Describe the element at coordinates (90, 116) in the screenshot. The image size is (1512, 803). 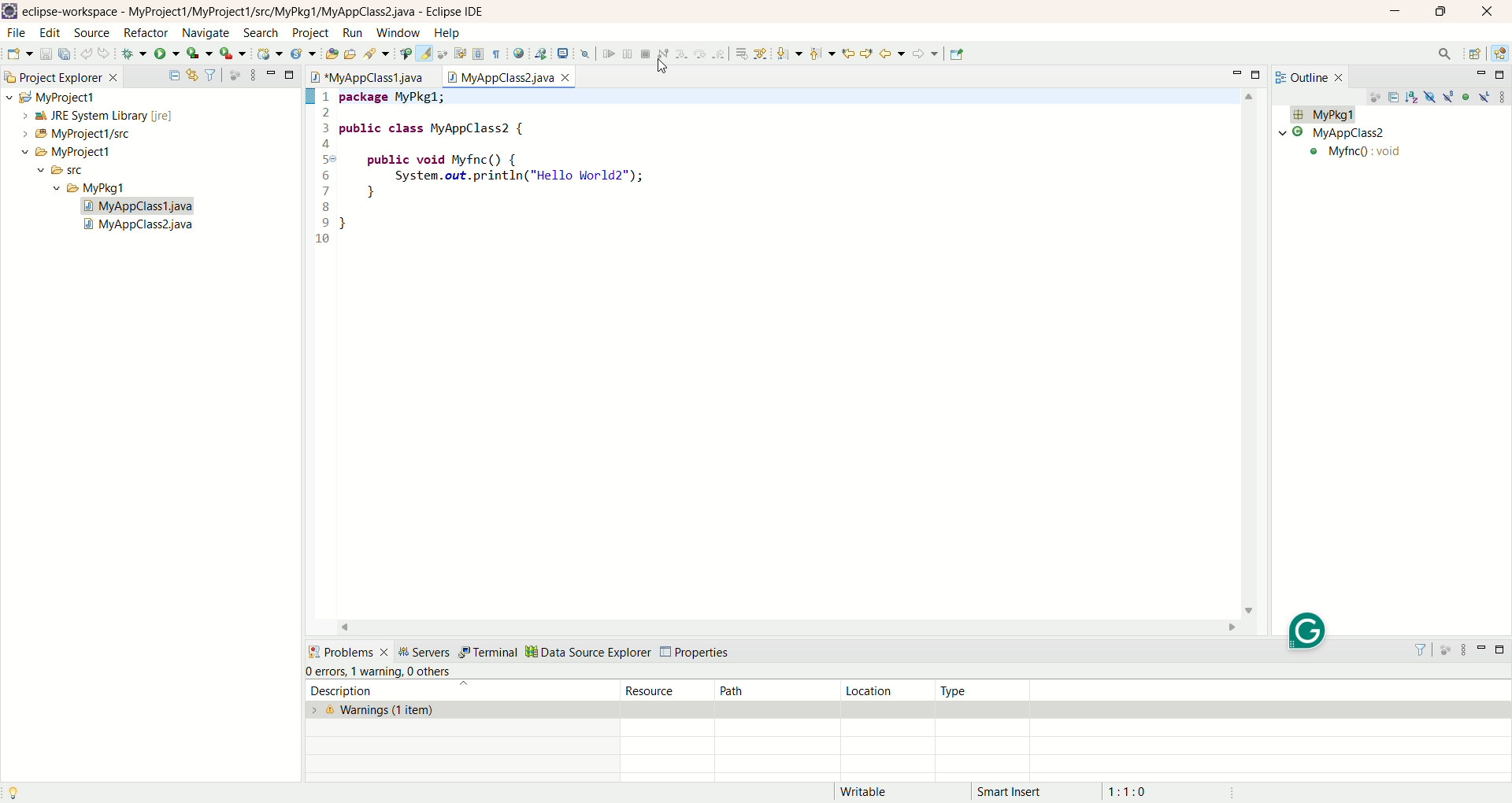
I see `JRE system library` at that location.